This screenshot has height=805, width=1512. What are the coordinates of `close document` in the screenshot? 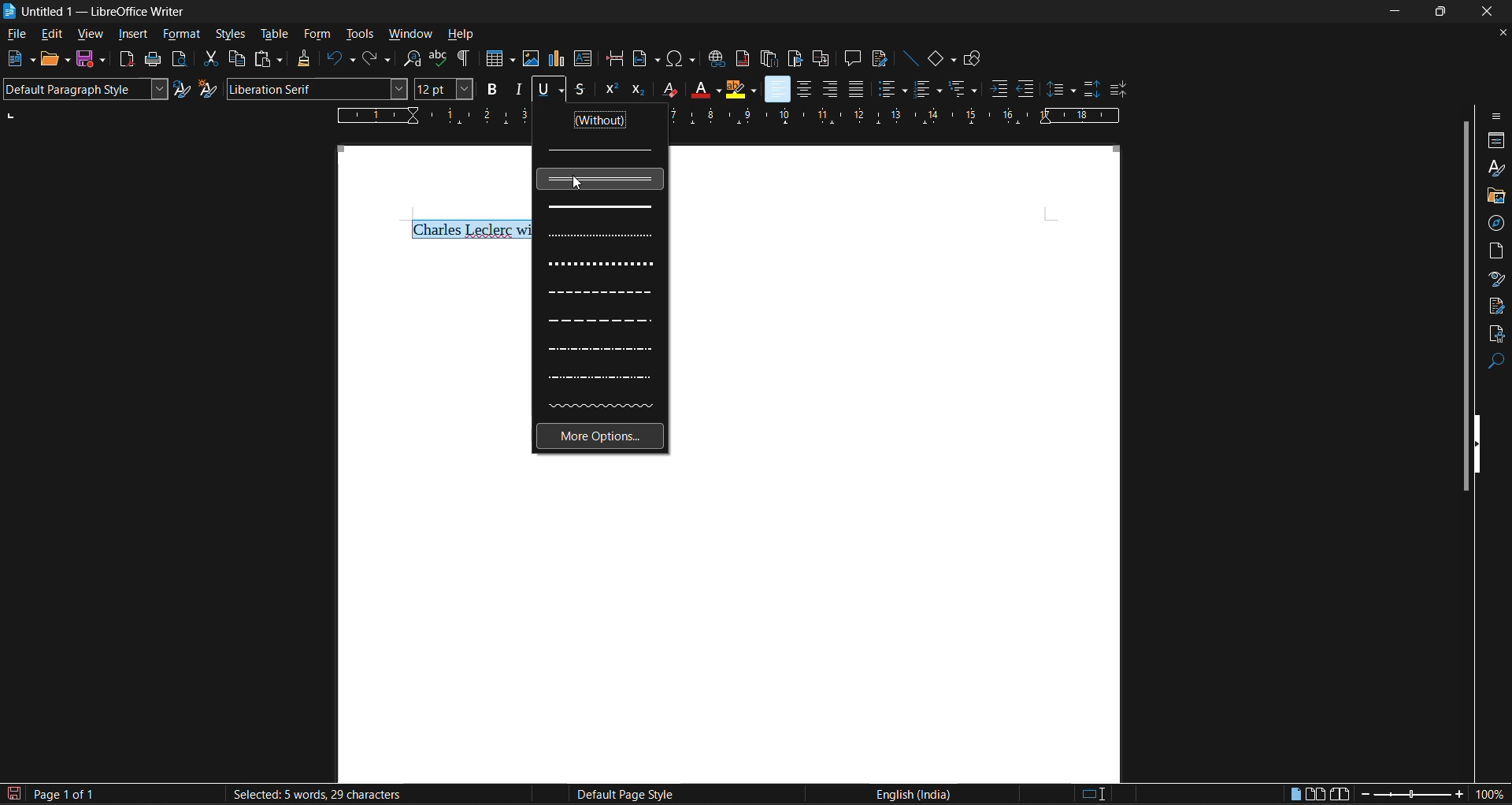 It's located at (1498, 33).